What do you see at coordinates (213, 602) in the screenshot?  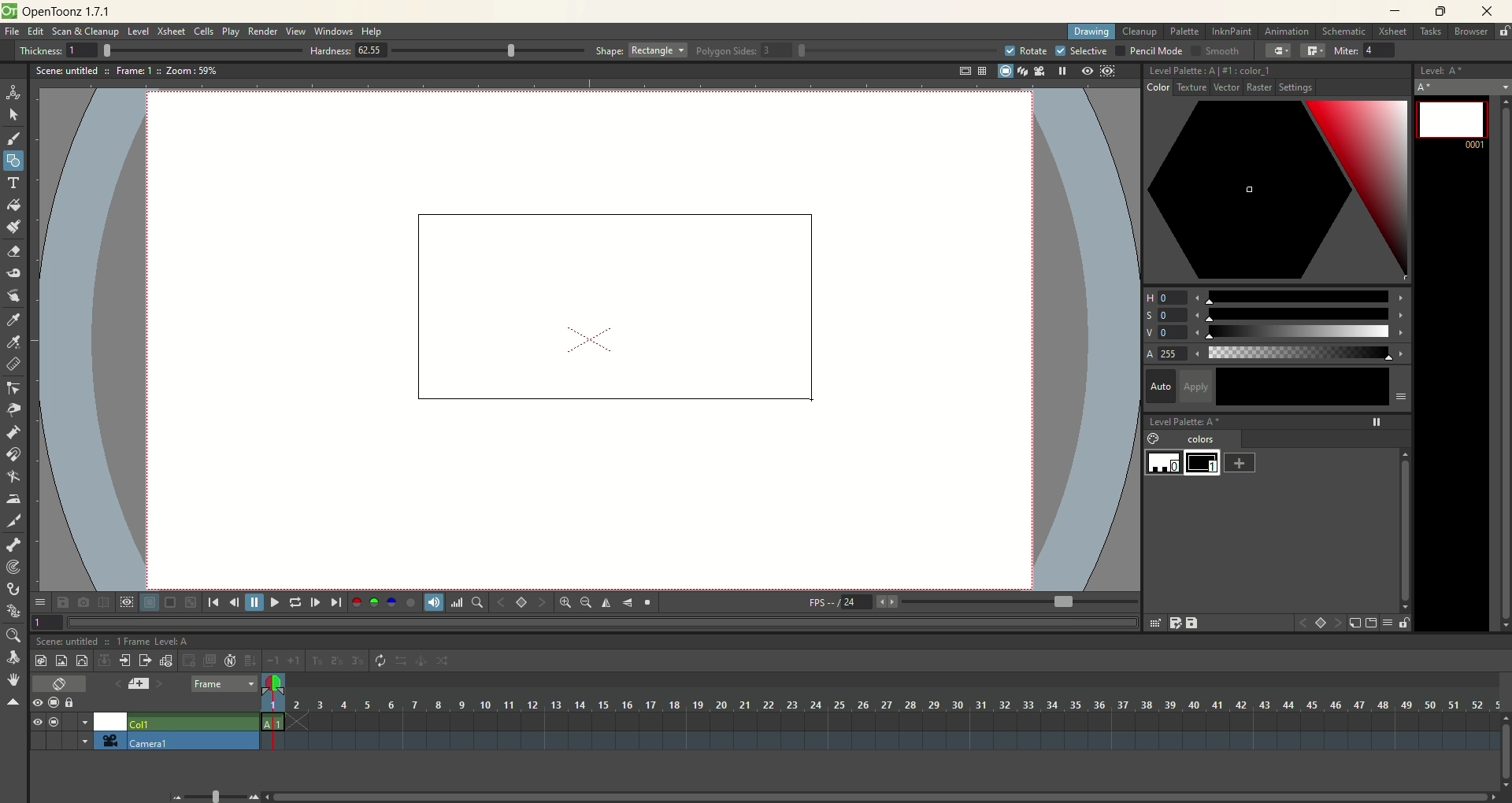 I see `first frame` at bounding box center [213, 602].